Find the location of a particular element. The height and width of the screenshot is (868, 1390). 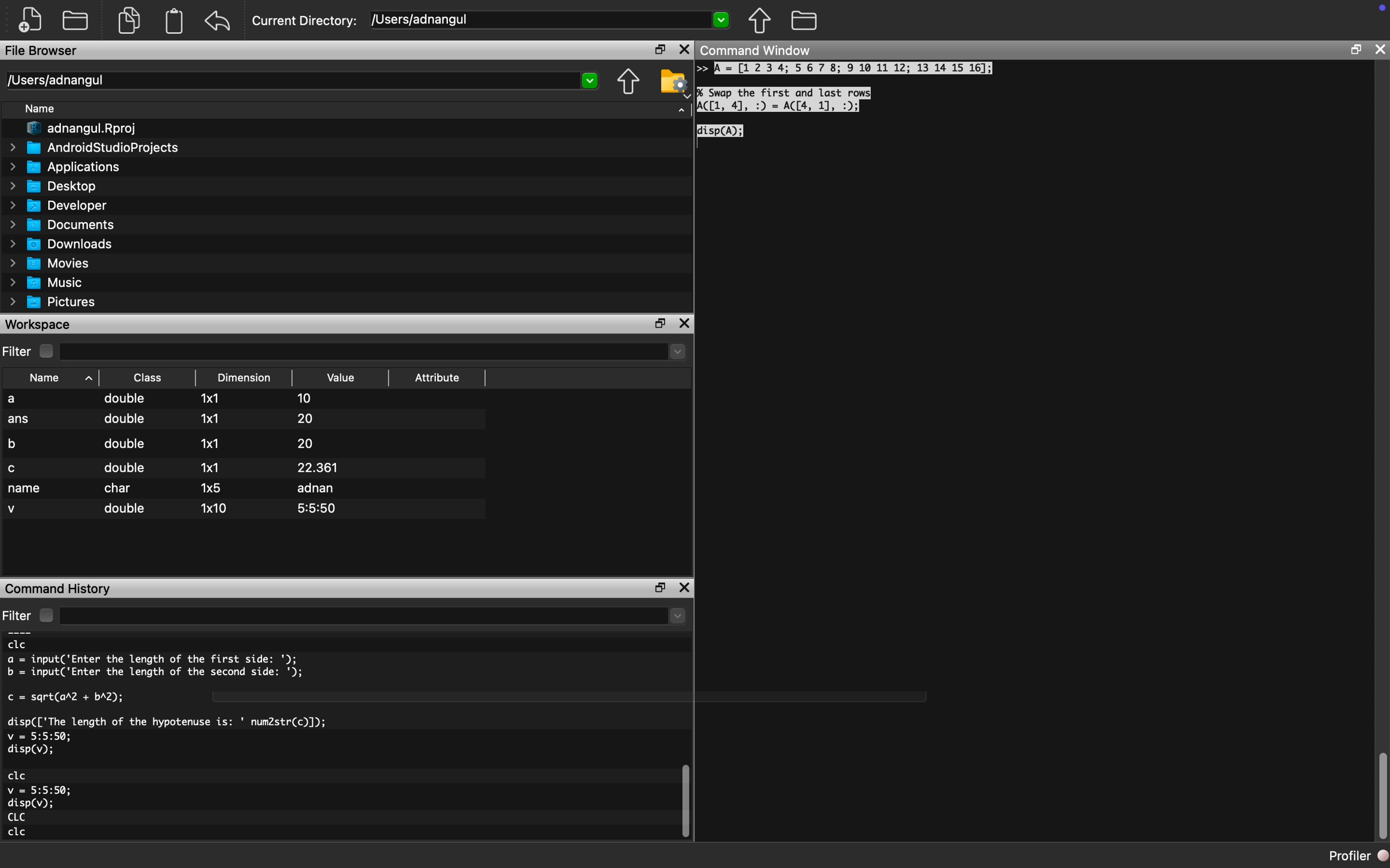

Command Window is located at coordinates (763, 51).